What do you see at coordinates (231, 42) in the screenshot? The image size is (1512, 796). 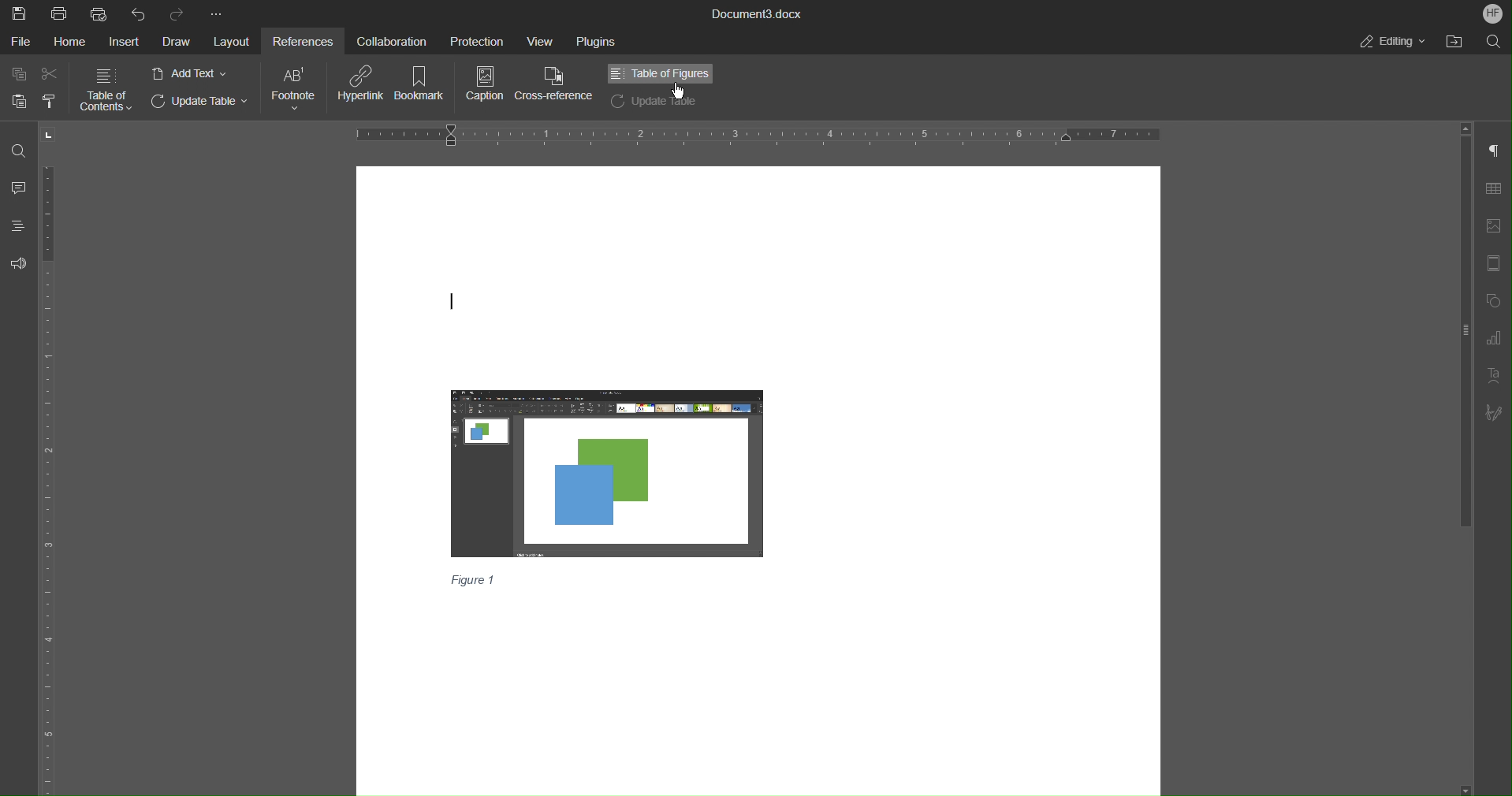 I see `Layout` at bounding box center [231, 42].